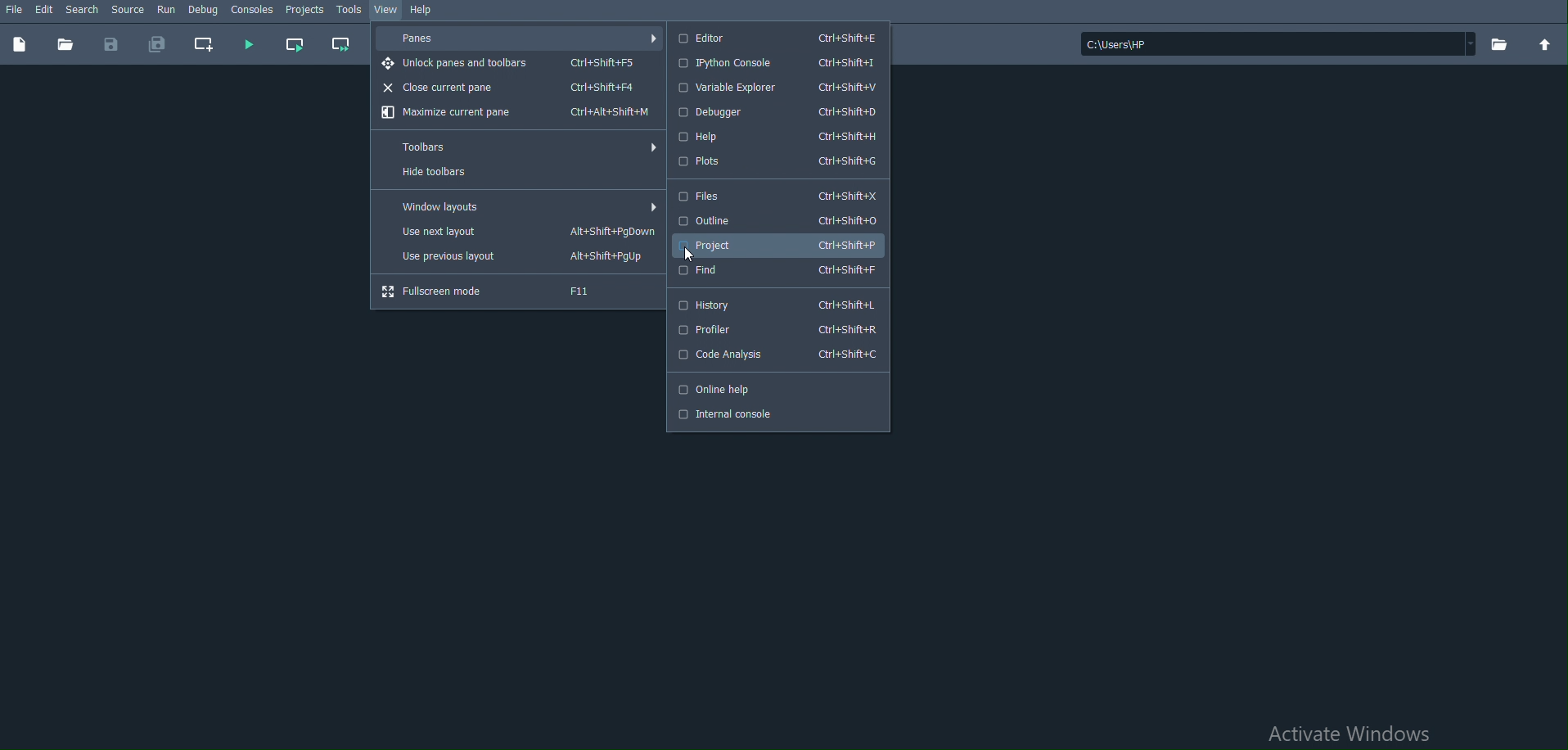 Image resolution: width=1568 pixels, height=750 pixels. Describe the element at coordinates (349, 8) in the screenshot. I see `Tools` at that location.